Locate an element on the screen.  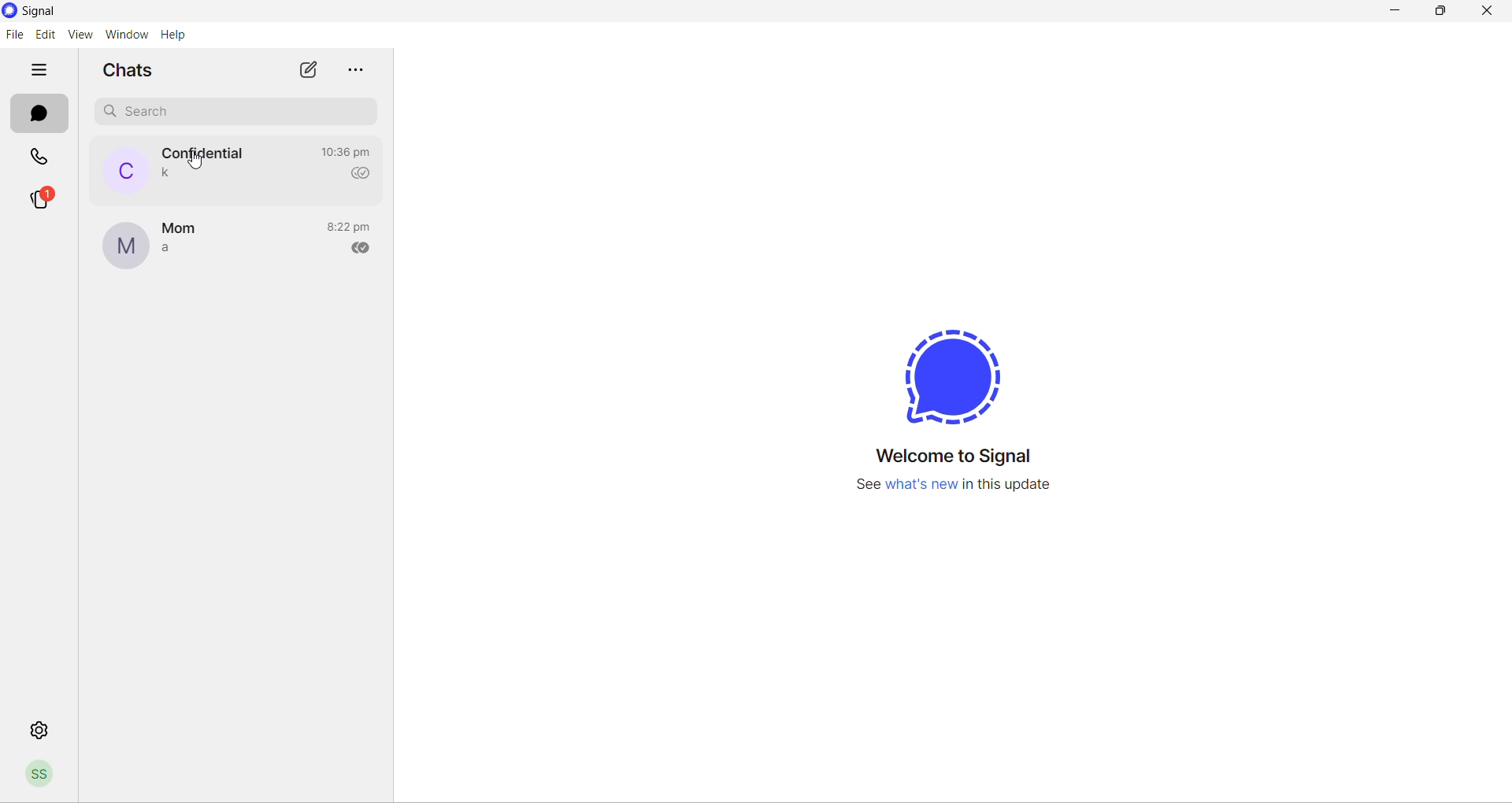
new chats  is located at coordinates (308, 71).